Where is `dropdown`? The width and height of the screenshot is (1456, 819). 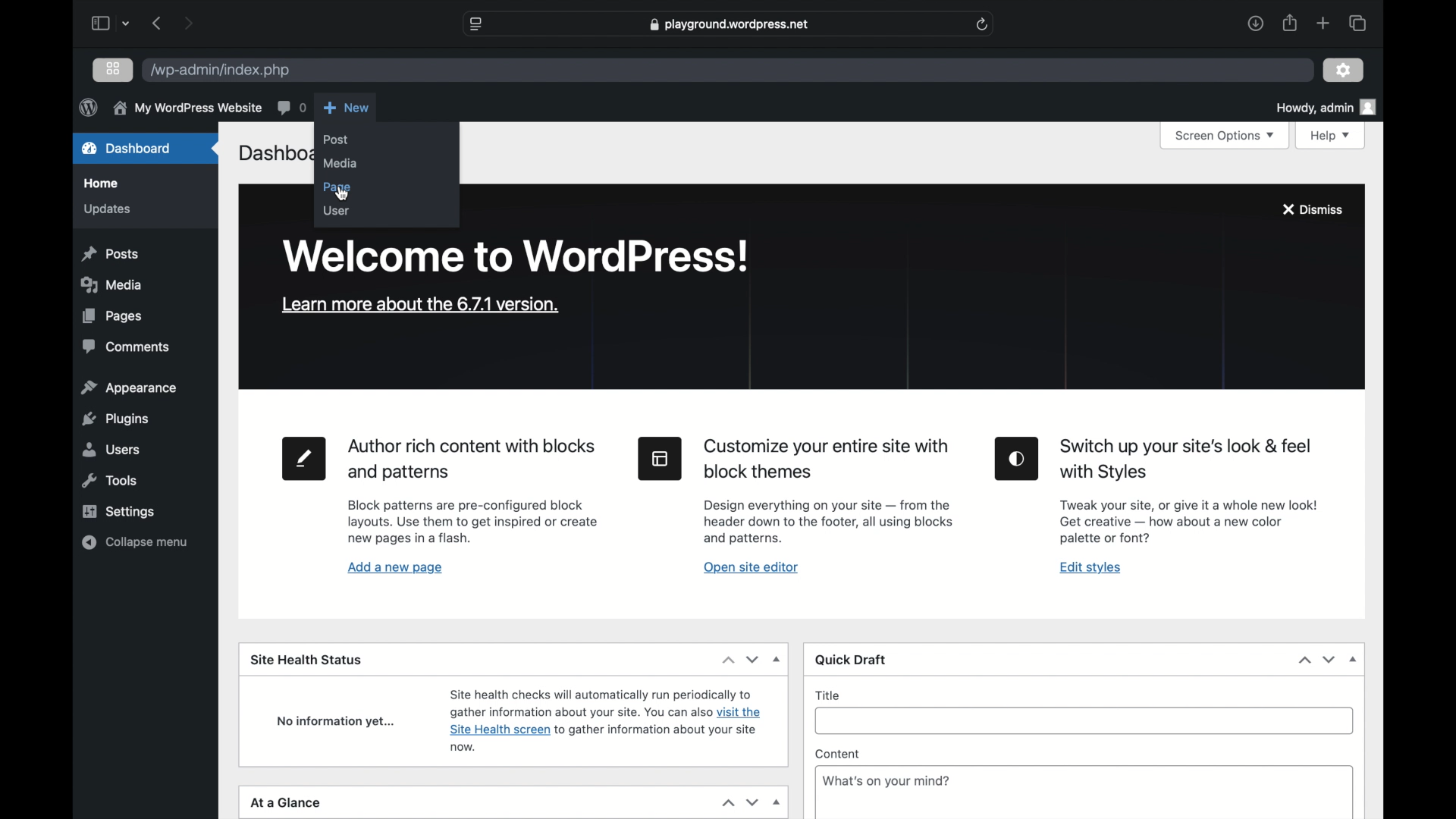 dropdown is located at coordinates (1353, 659).